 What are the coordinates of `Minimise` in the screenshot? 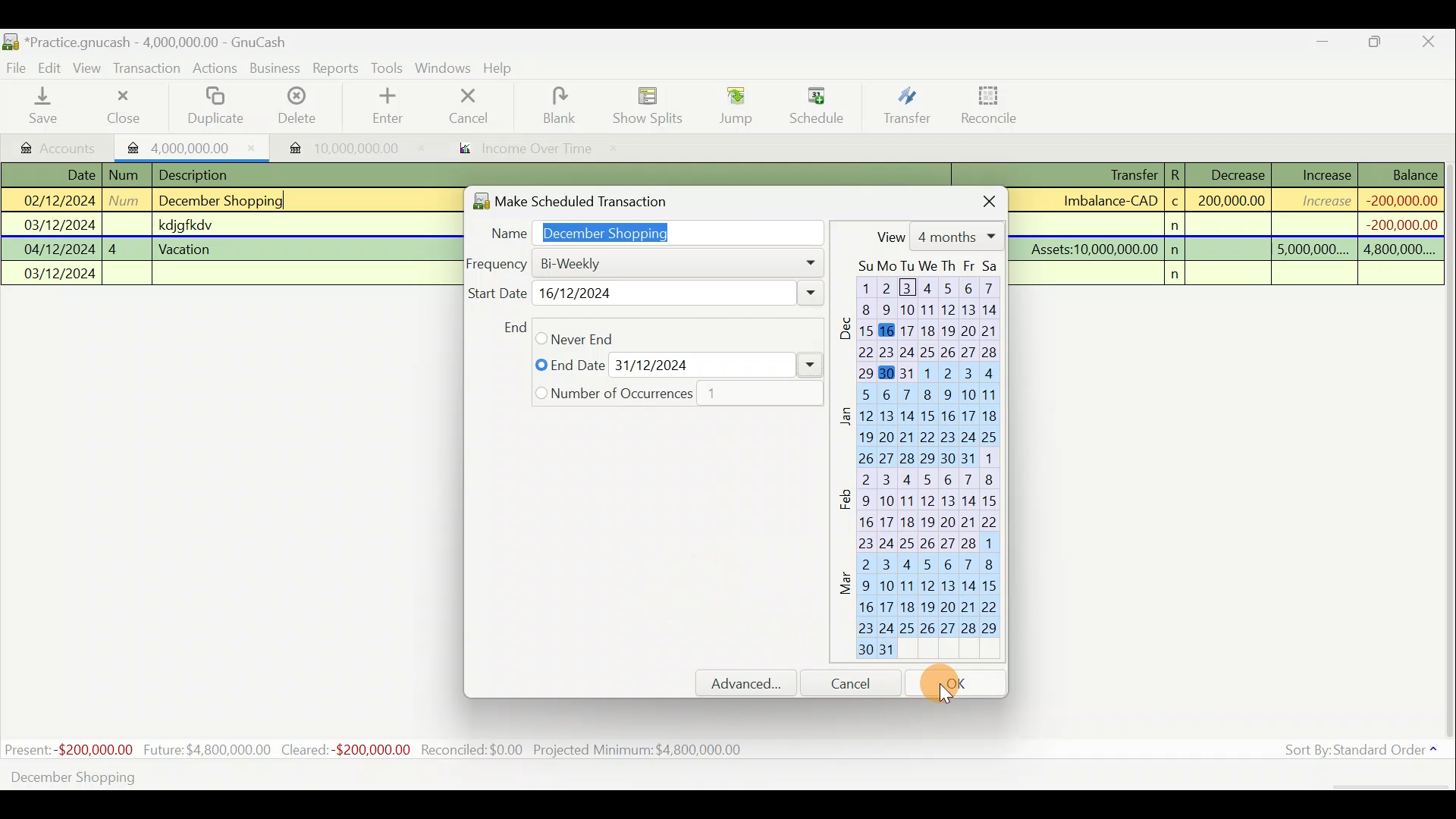 It's located at (1323, 45).